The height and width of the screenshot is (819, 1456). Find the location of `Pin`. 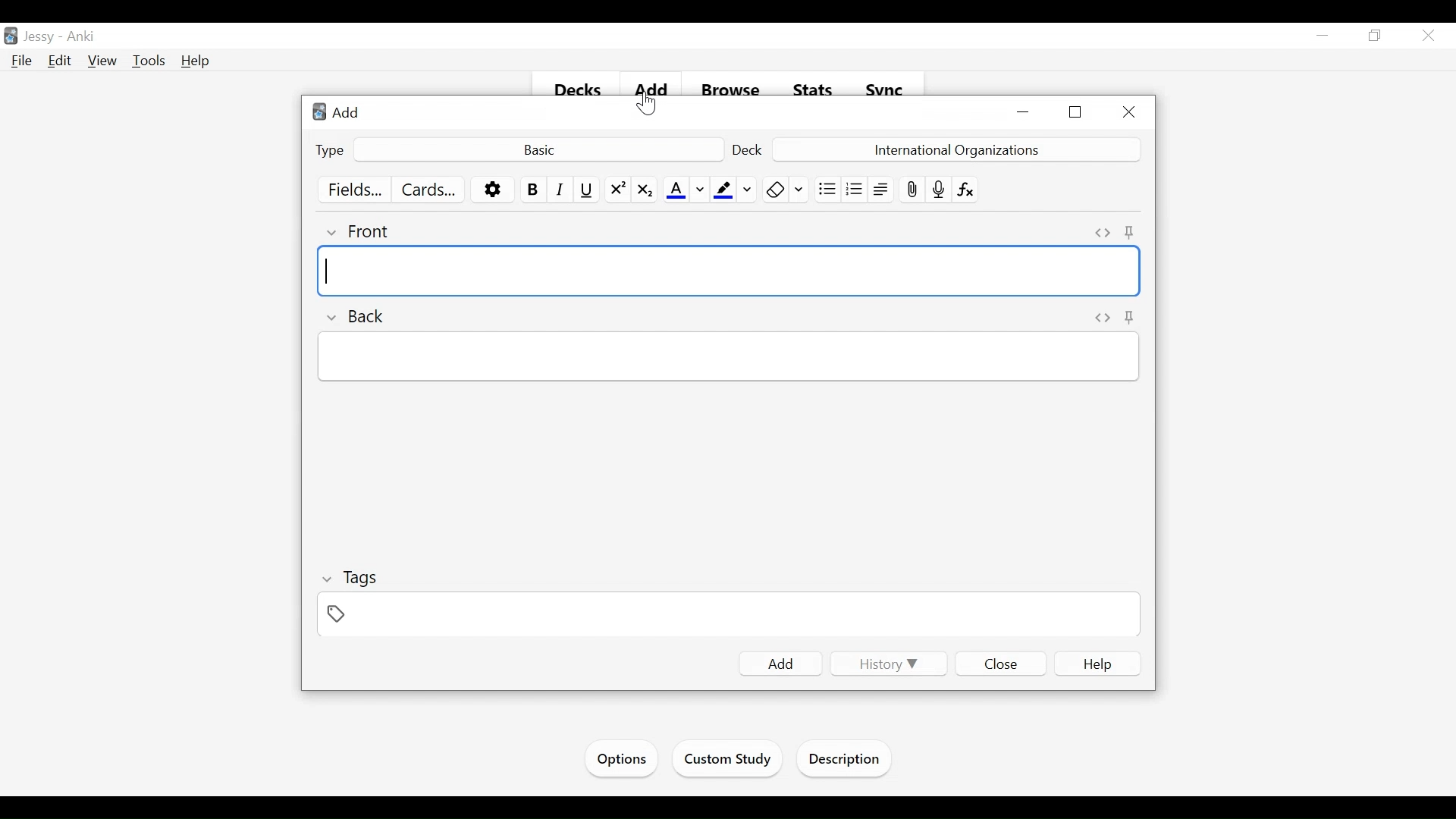

Pin is located at coordinates (1131, 318).